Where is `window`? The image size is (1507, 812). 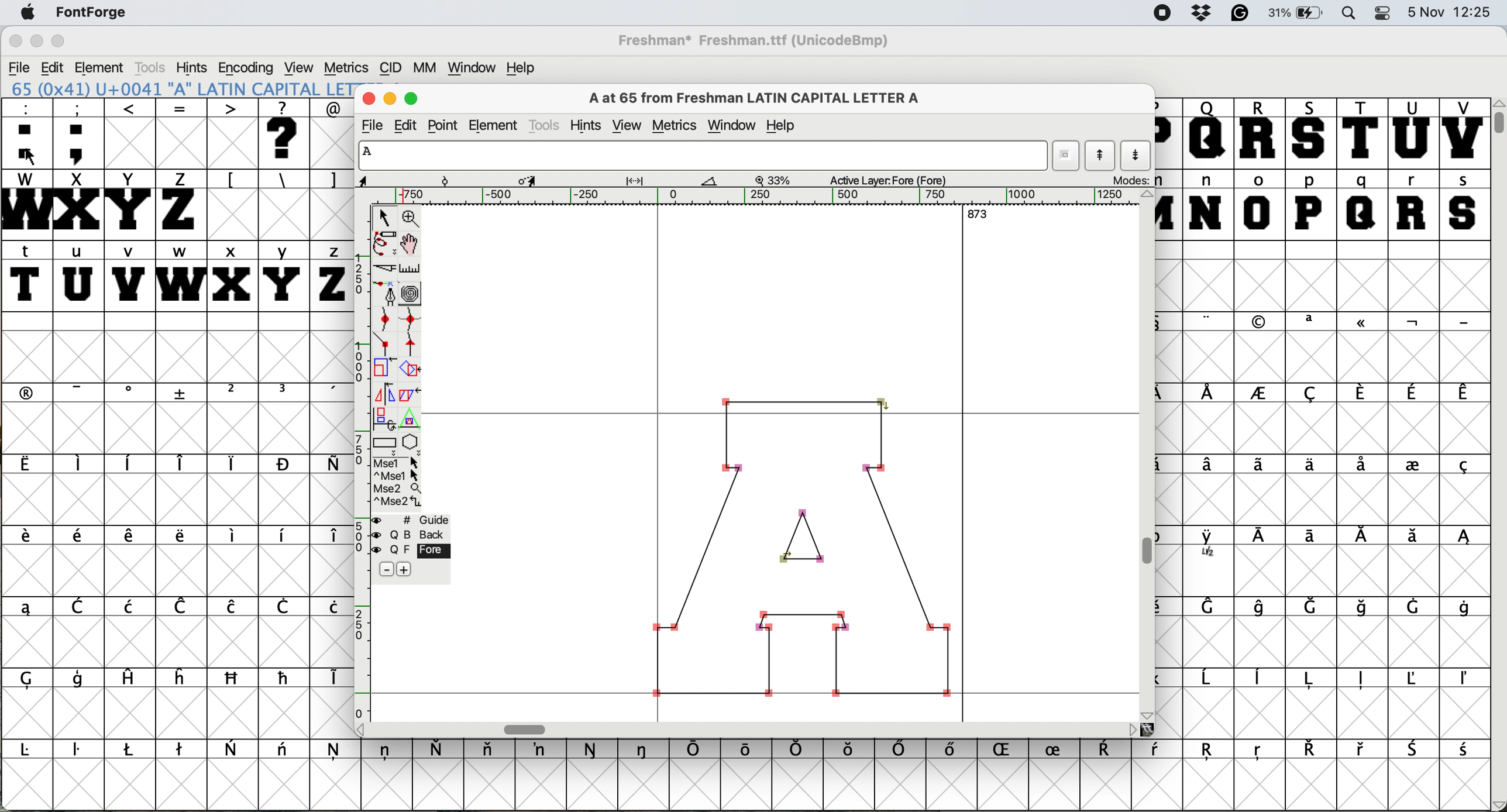
window is located at coordinates (732, 125).